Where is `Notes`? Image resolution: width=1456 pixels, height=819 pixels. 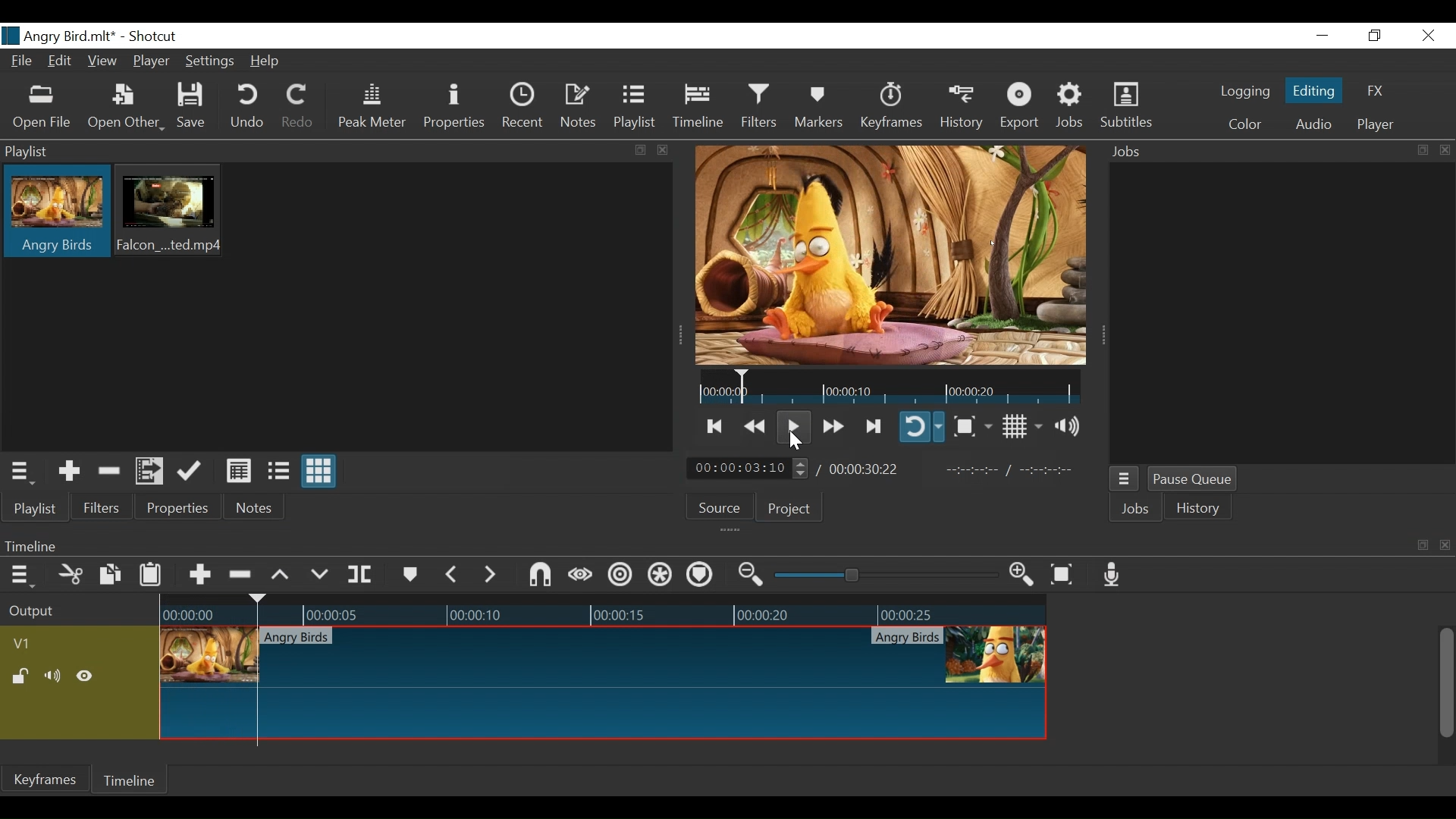 Notes is located at coordinates (581, 108).